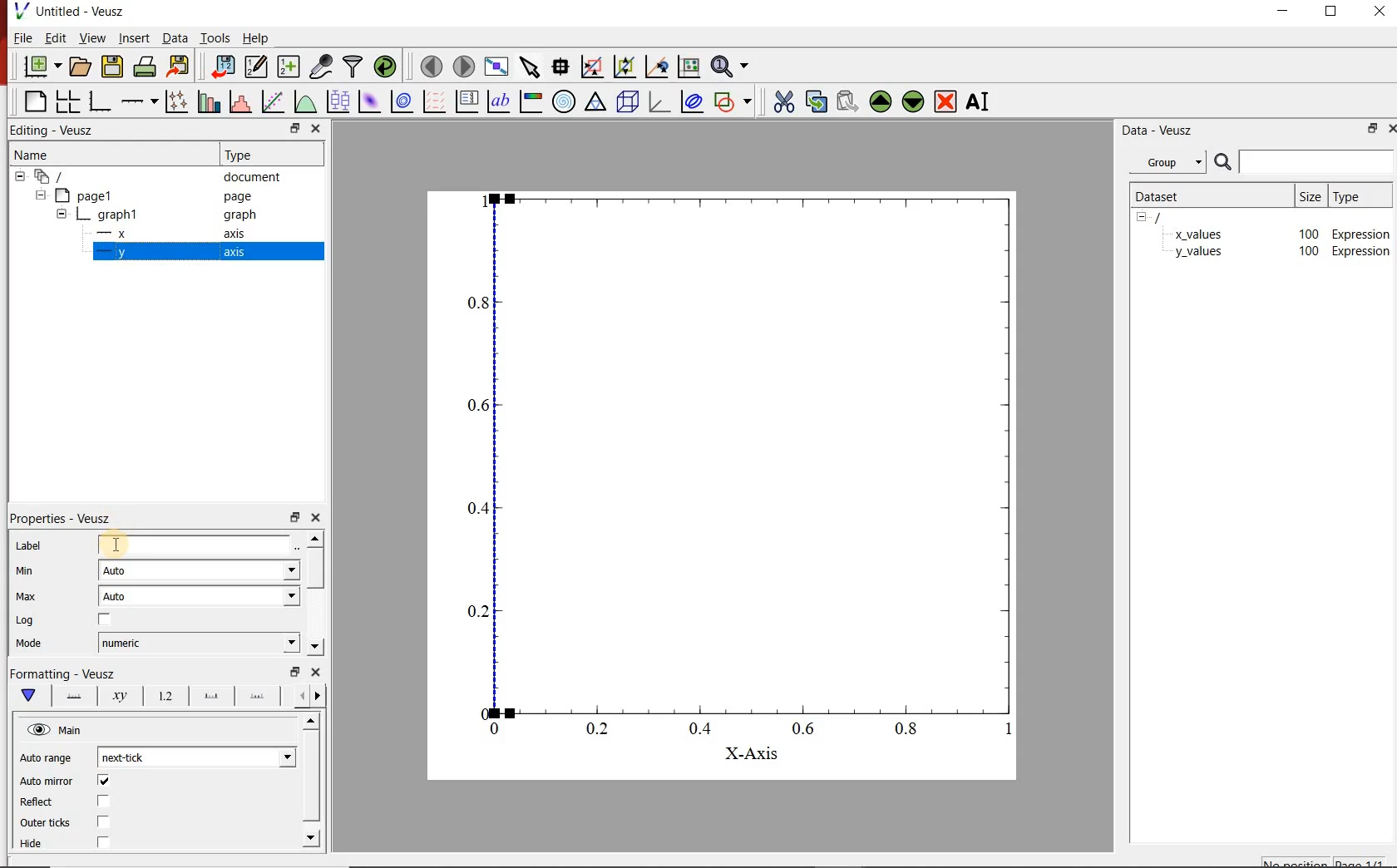  What do you see at coordinates (945, 104) in the screenshot?
I see `remove the selected widget` at bounding box center [945, 104].